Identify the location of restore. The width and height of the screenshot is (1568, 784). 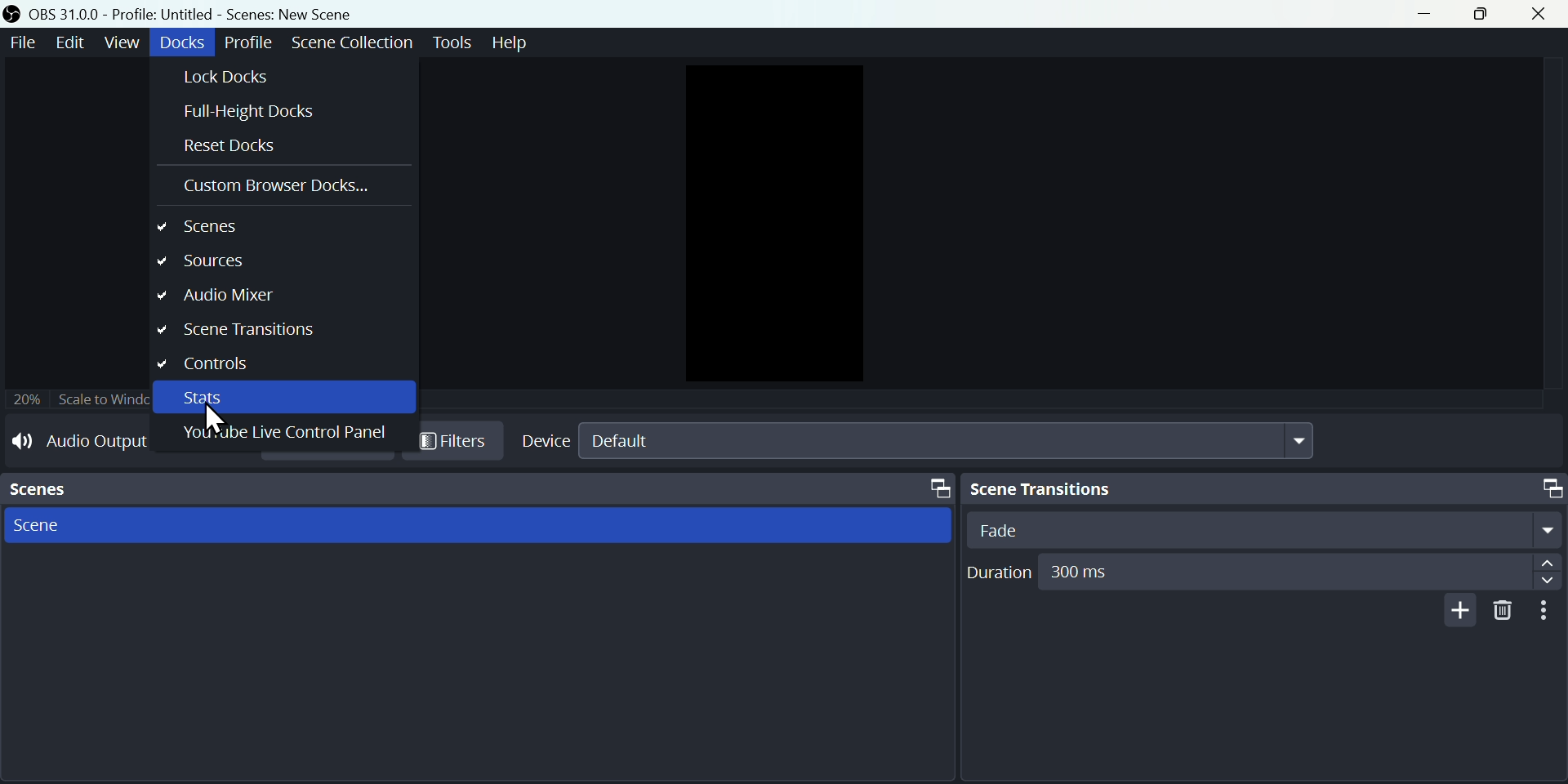
(1479, 16).